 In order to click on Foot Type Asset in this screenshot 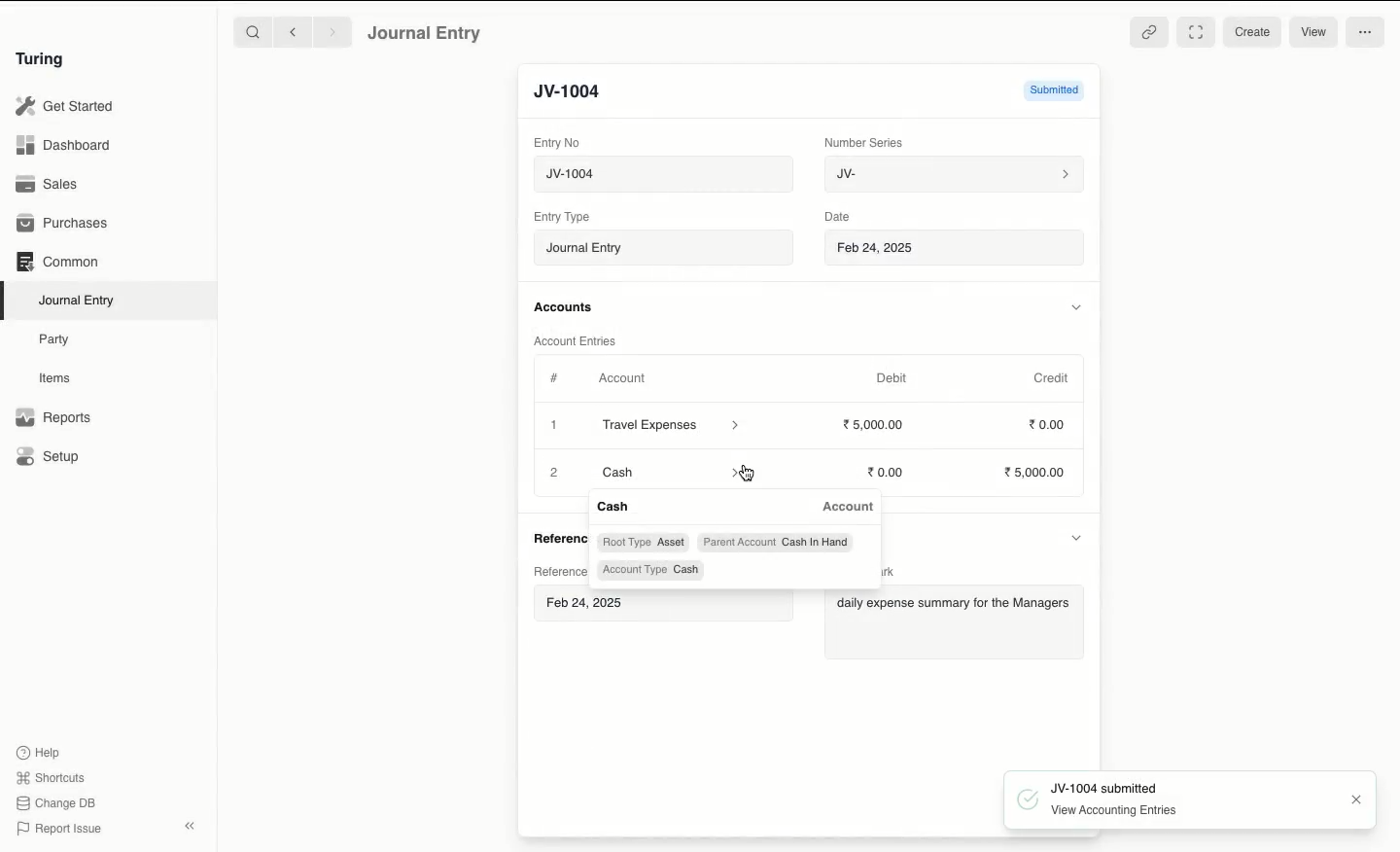, I will do `click(644, 542)`.